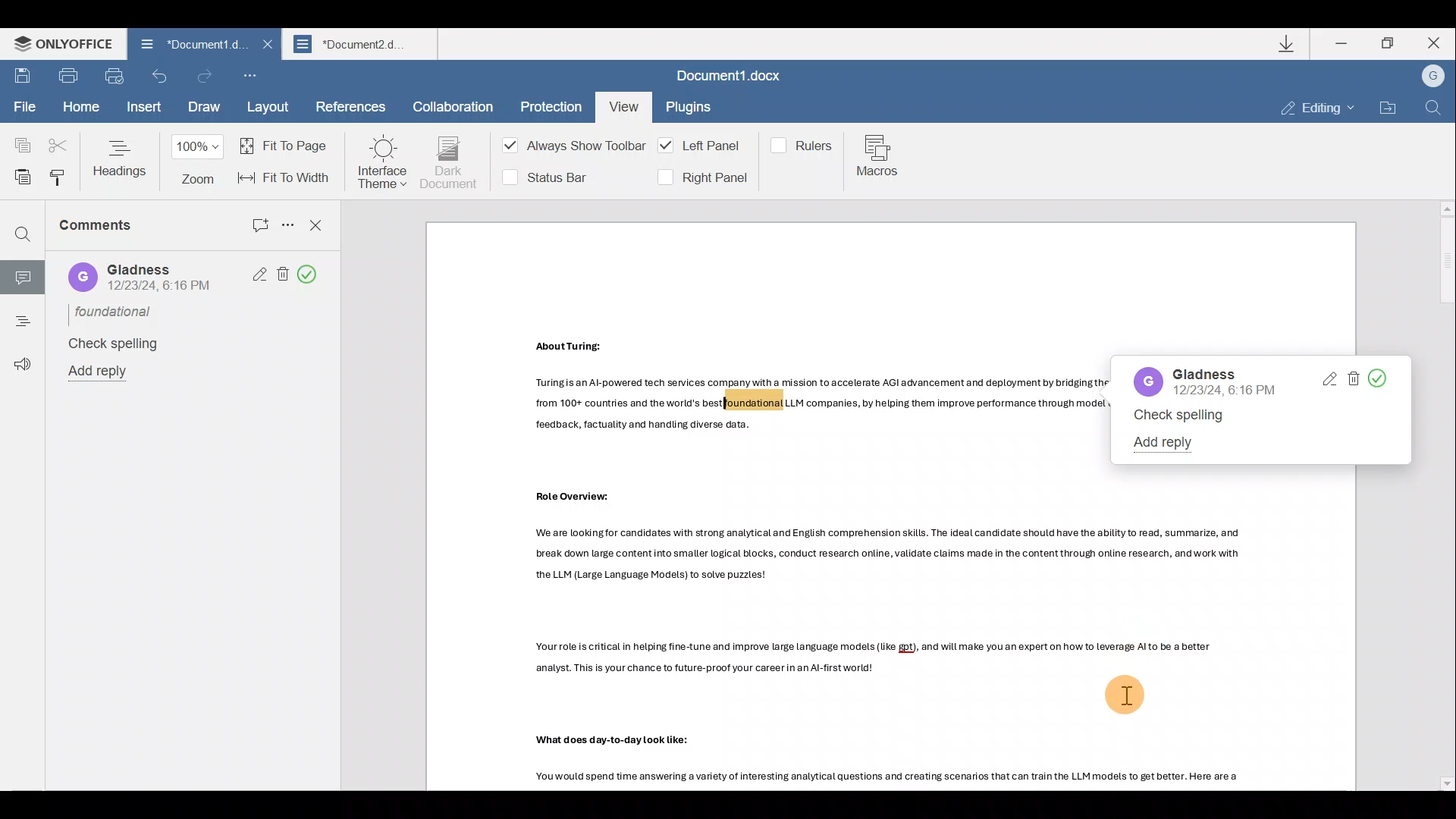 This screenshot has width=1456, height=819. I want to click on Undo, so click(161, 80).